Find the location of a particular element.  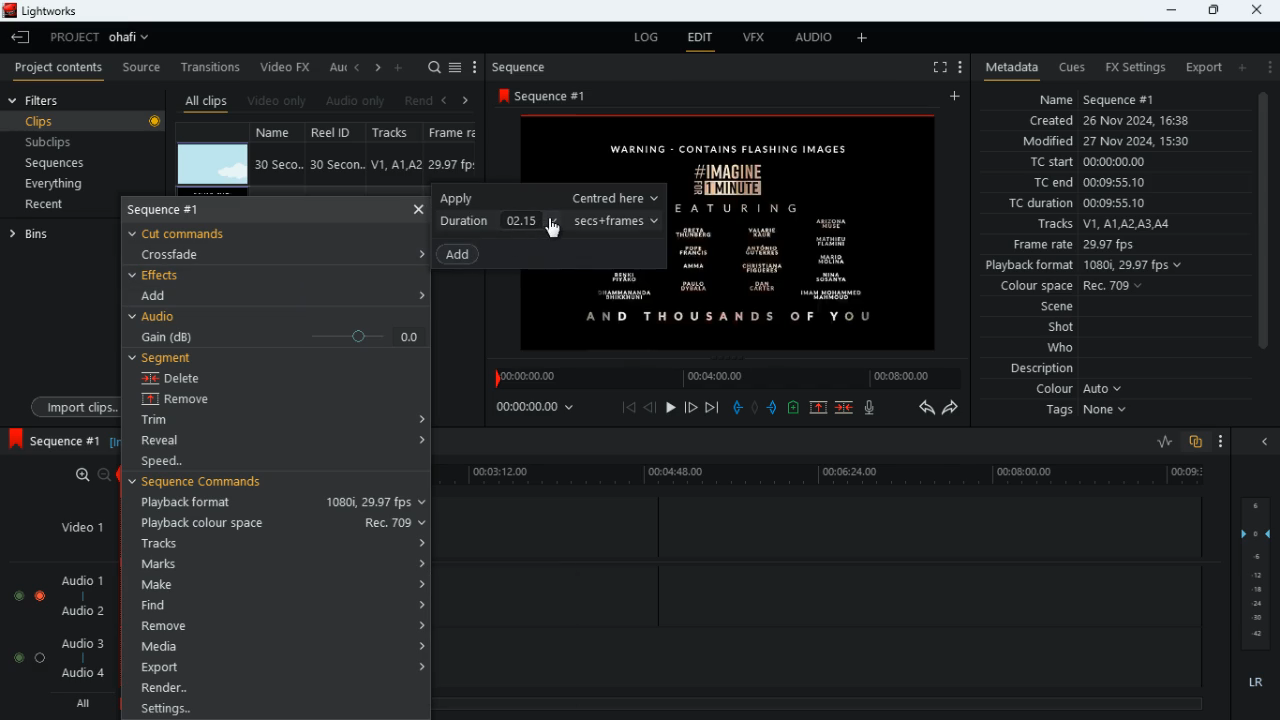

right is located at coordinates (466, 100).